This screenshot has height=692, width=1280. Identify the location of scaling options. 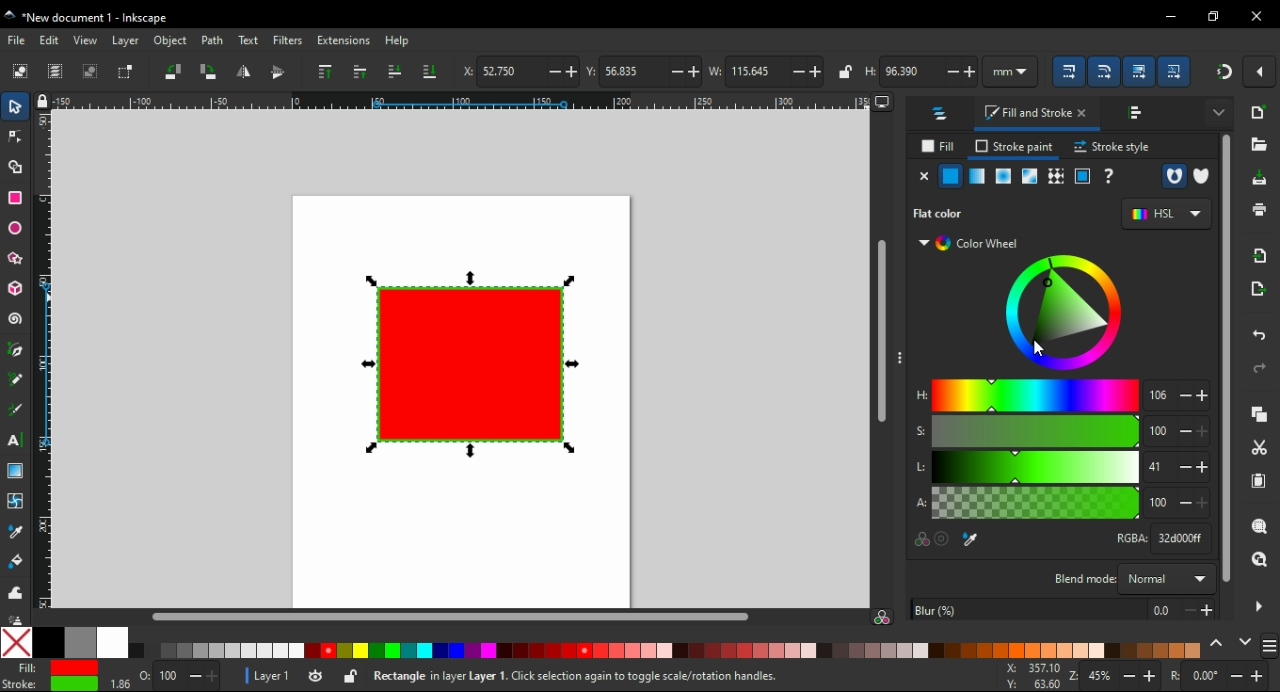
(1138, 71).